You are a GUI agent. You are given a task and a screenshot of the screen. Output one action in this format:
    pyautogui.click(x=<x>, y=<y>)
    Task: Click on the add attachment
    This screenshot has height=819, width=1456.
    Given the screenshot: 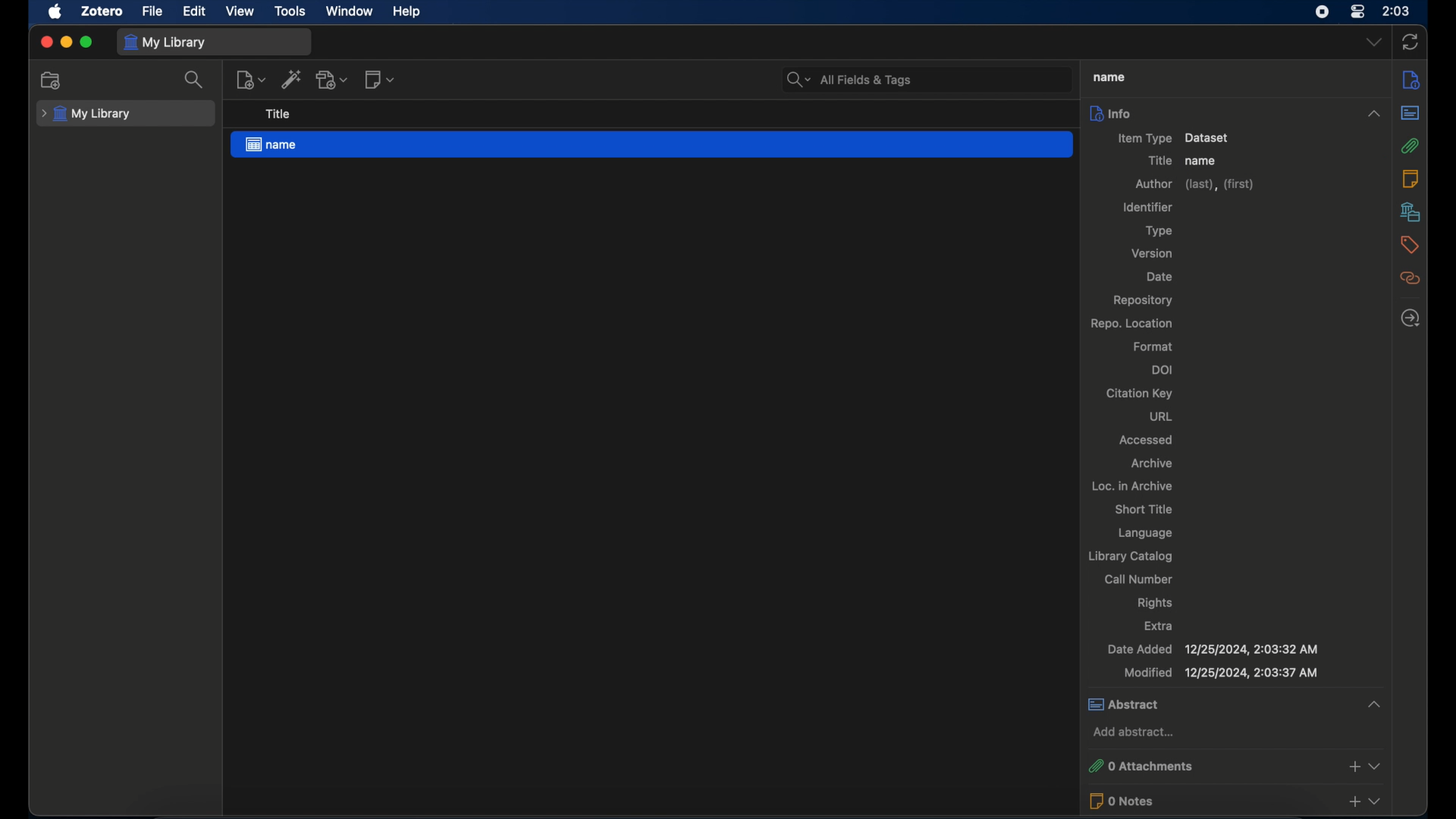 What is the action you would take?
    pyautogui.click(x=334, y=80)
    